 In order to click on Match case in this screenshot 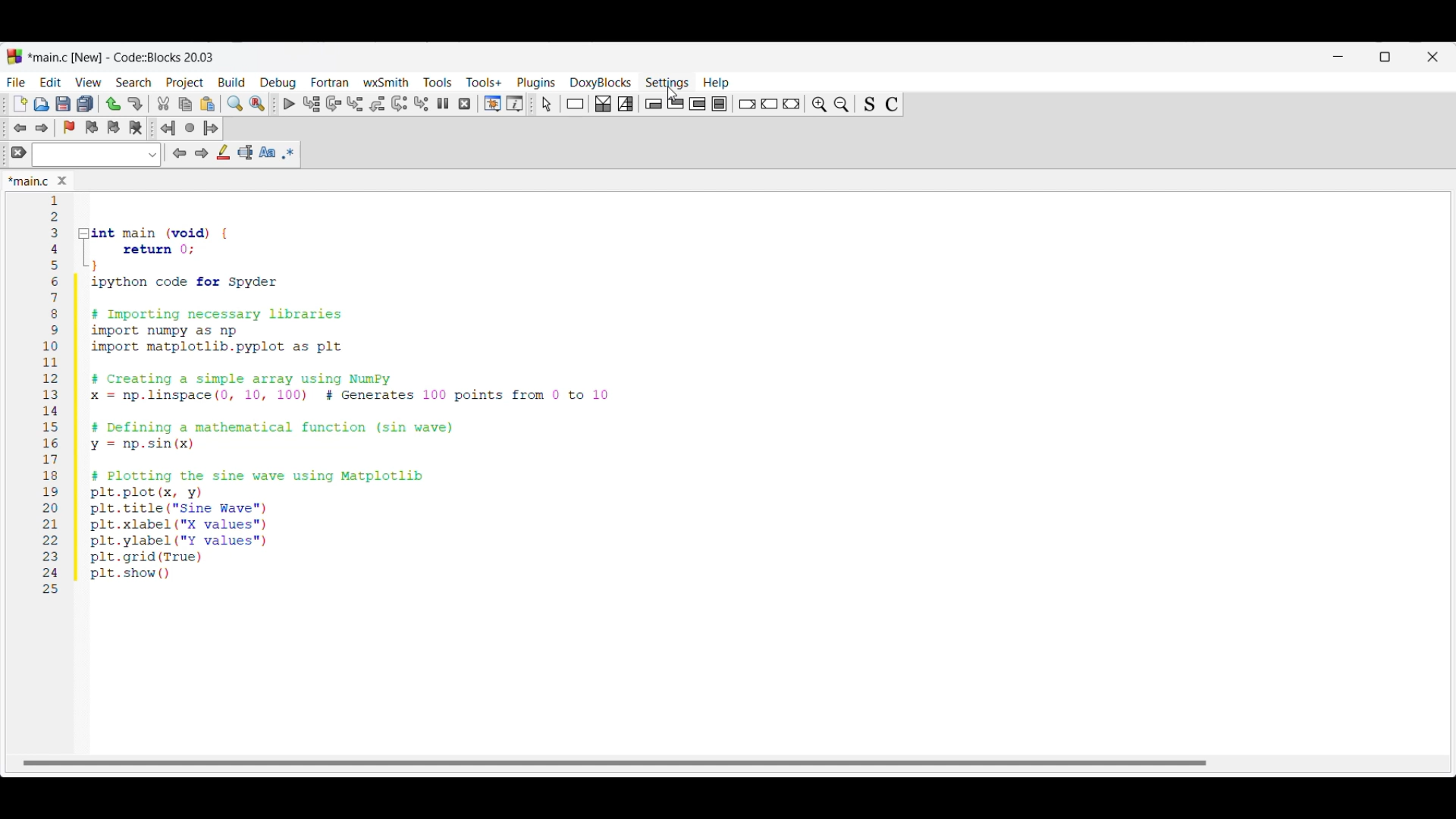, I will do `click(267, 152)`.